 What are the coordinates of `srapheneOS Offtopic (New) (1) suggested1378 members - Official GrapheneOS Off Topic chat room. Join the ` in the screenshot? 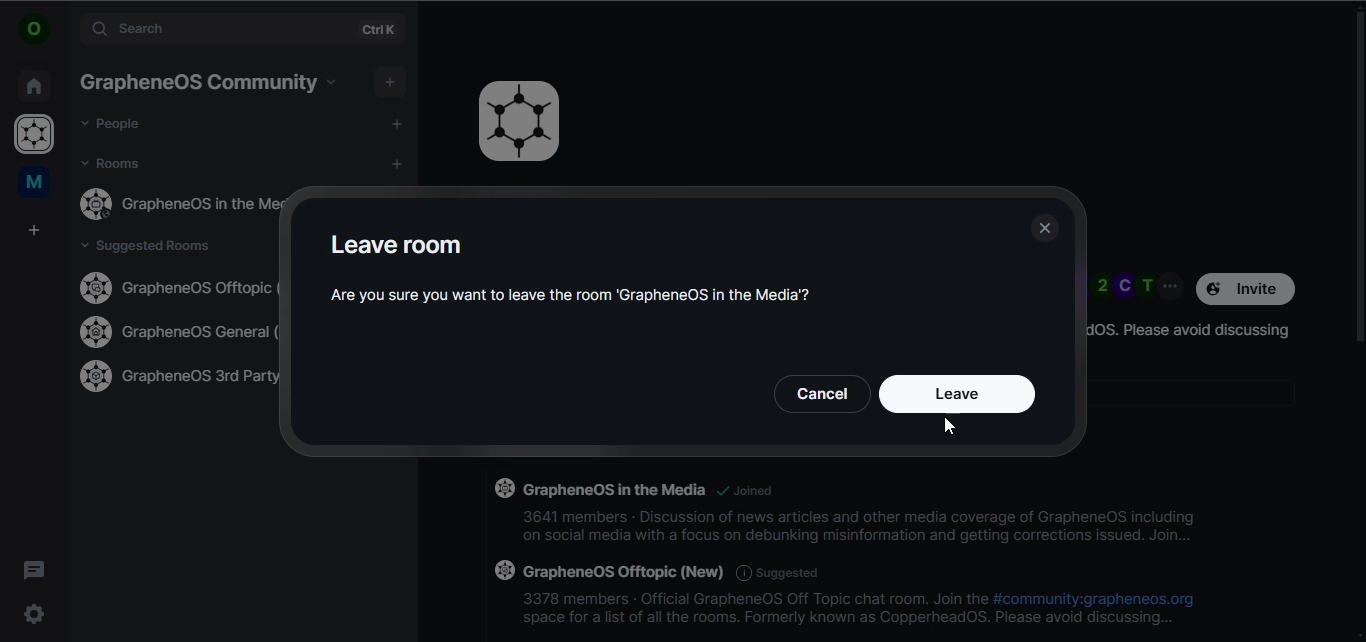 It's located at (736, 582).